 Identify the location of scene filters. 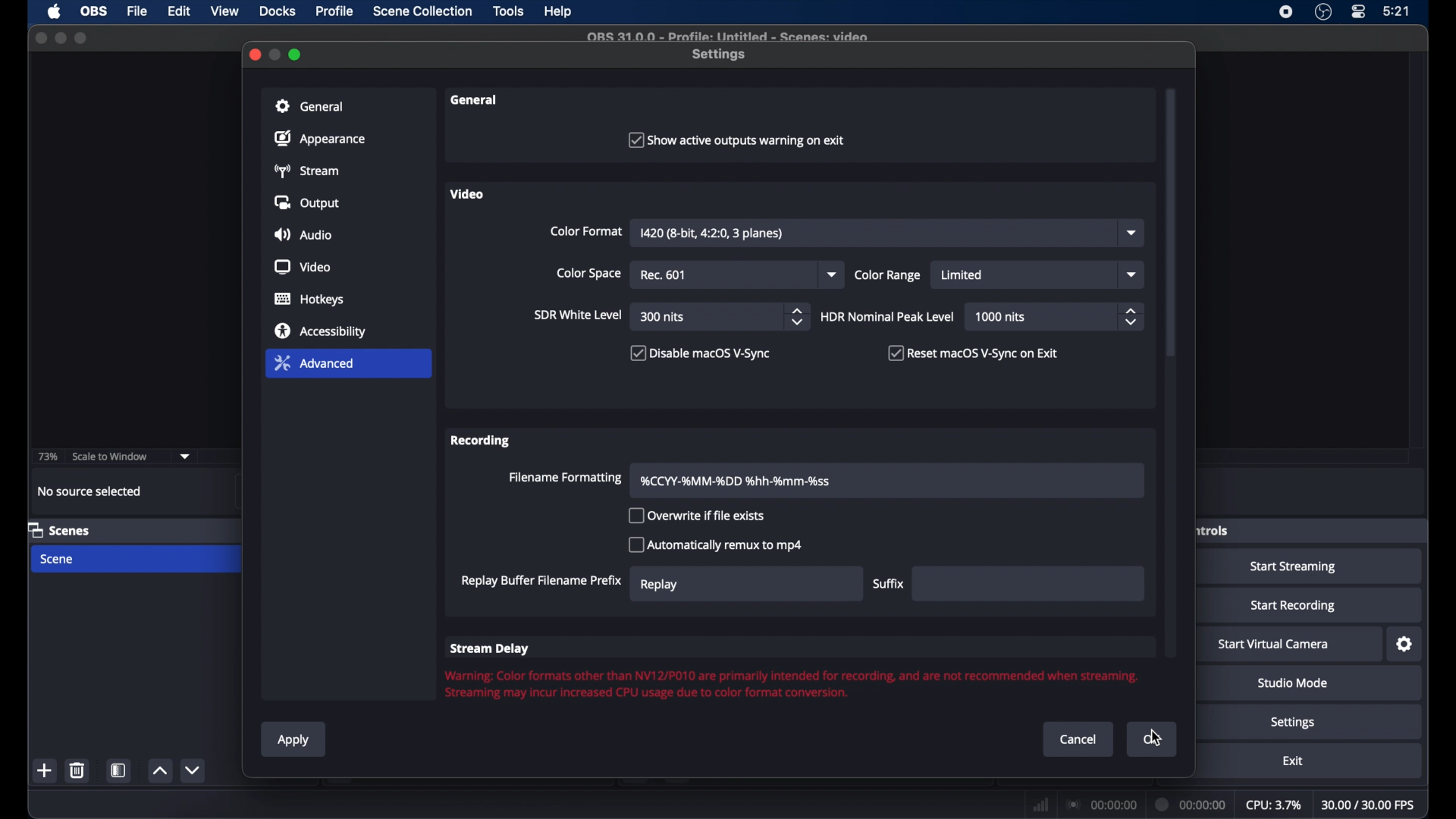
(119, 771).